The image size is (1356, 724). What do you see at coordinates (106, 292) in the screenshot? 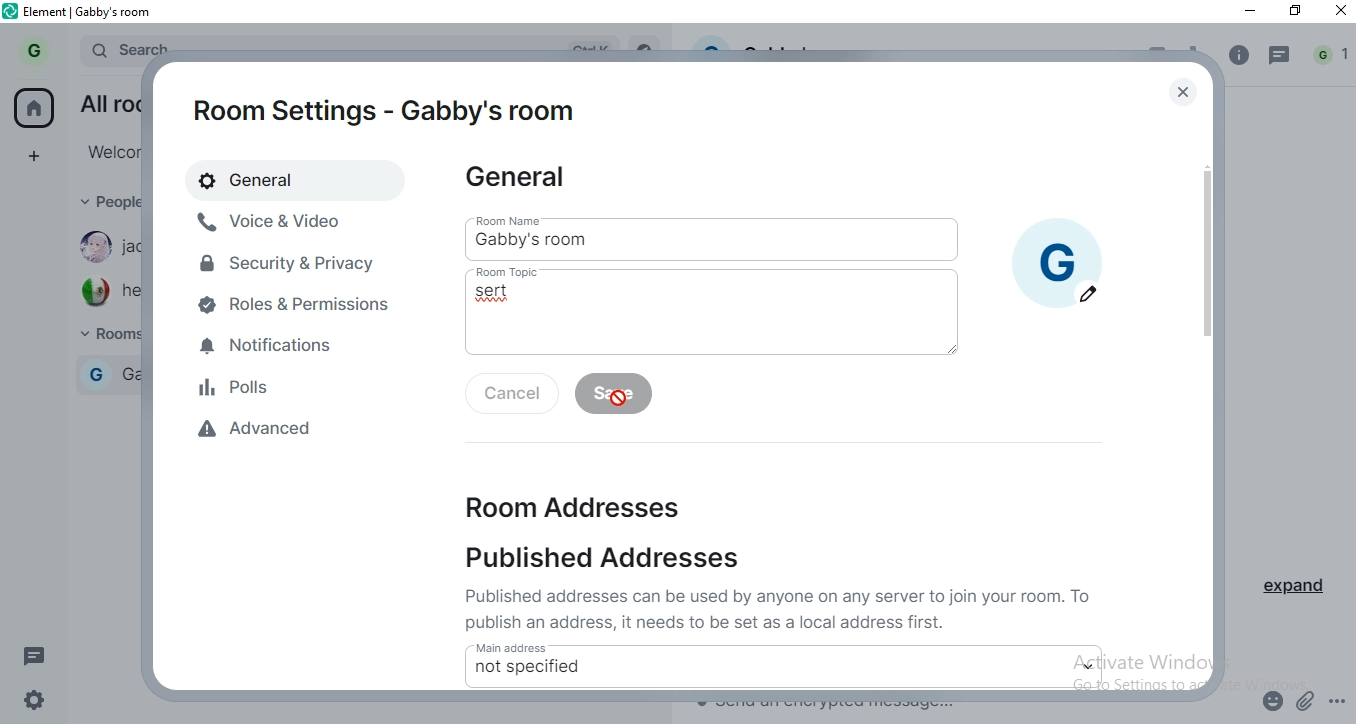
I see `hector73` at bounding box center [106, 292].